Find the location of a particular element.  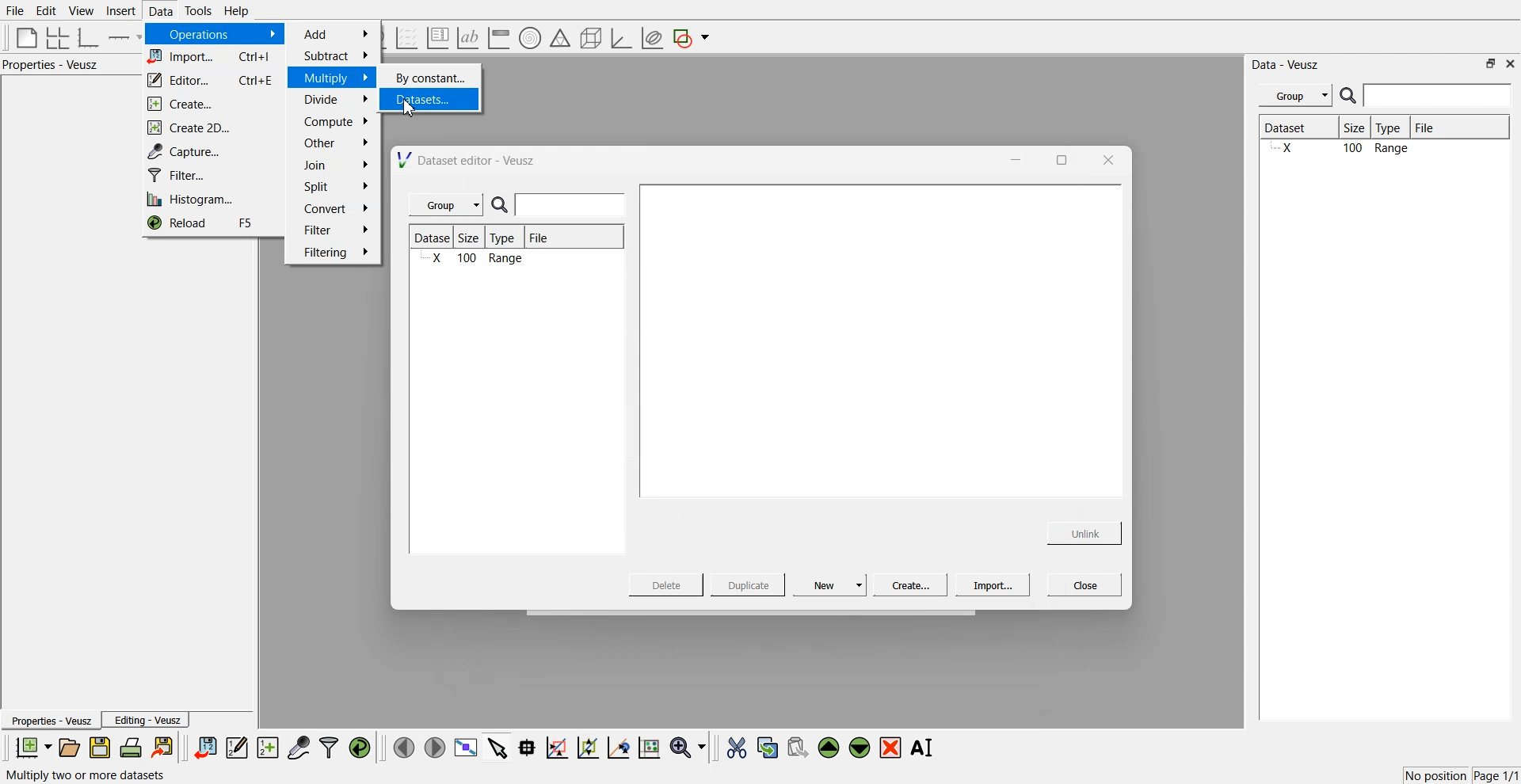

Type is located at coordinates (1393, 128).